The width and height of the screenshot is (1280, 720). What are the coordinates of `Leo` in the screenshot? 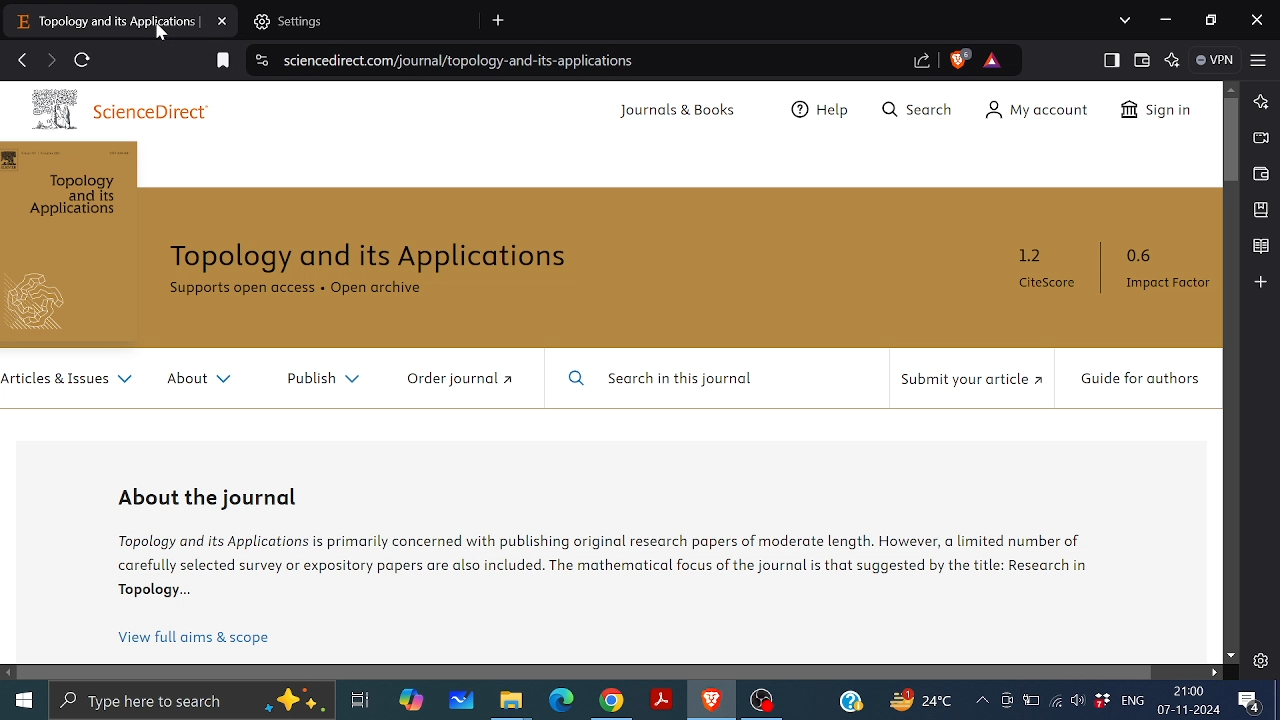 It's located at (1260, 102).